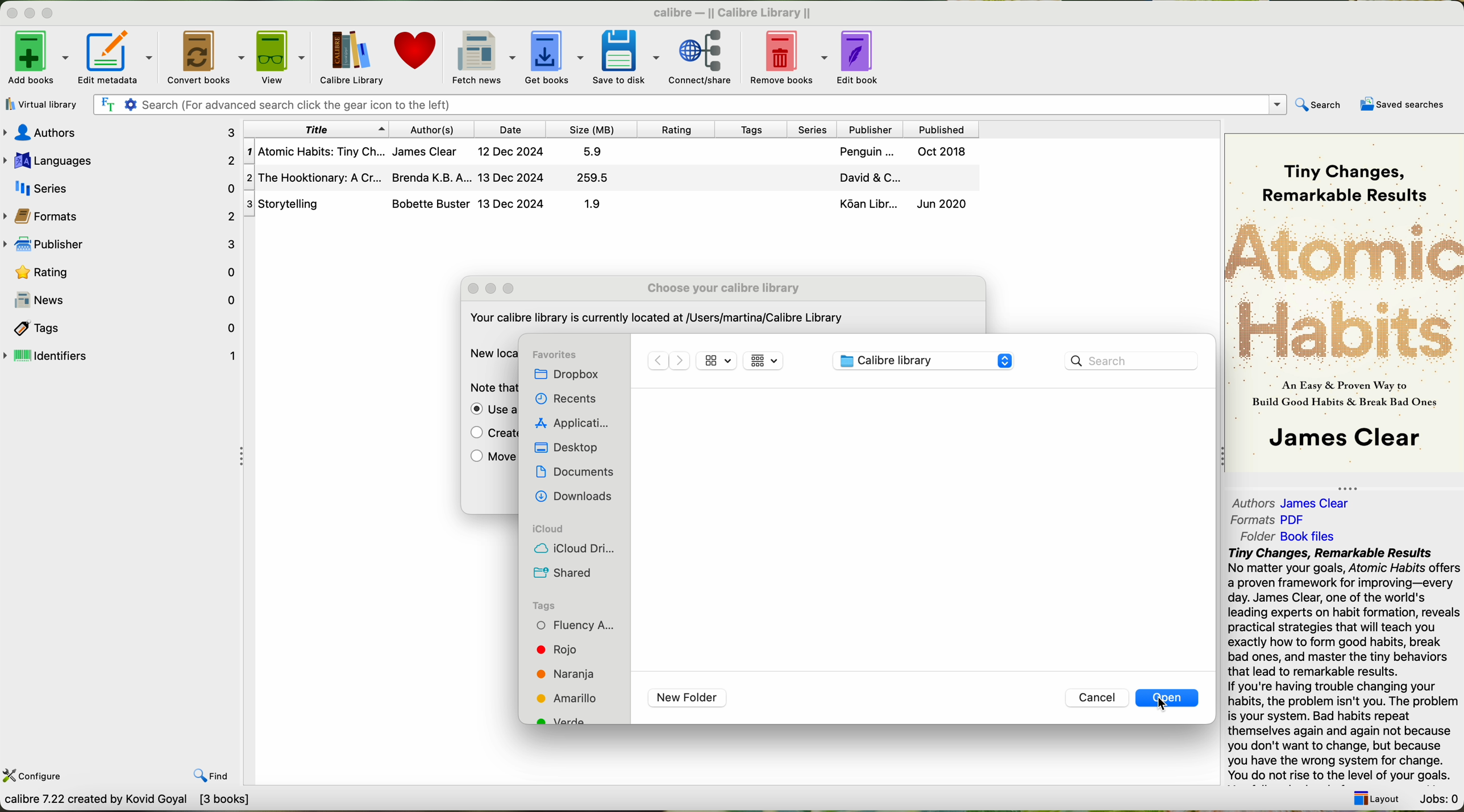 This screenshot has height=812, width=1464. What do you see at coordinates (1307, 536) in the screenshot?
I see `Book file` at bounding box center [1307, 536].